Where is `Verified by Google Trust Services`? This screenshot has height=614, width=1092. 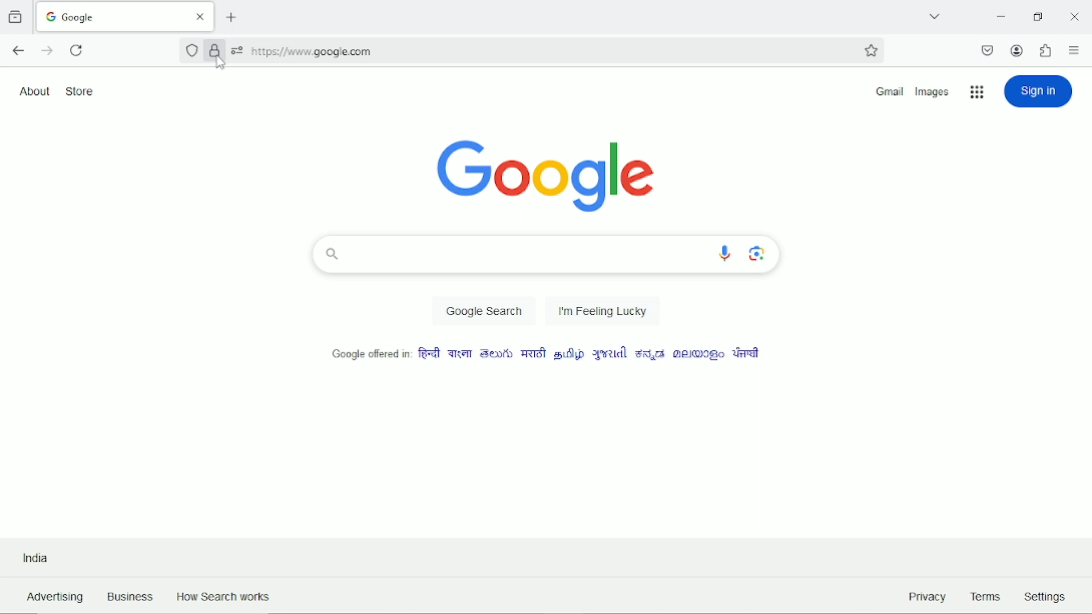 Verified by Google Trust Services is located at coordinates (215, 52).